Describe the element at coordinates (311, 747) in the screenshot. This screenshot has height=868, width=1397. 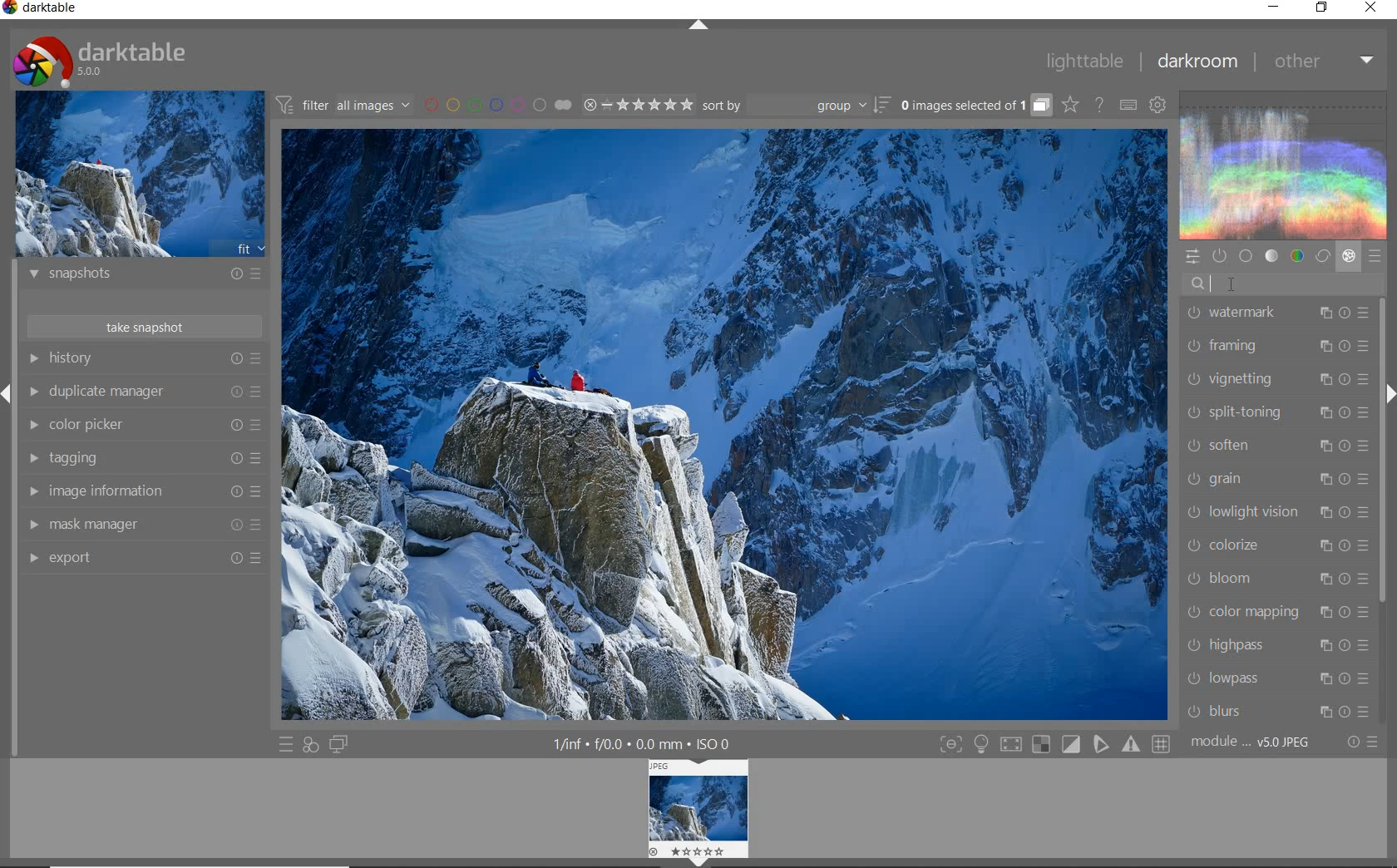
I see `quick access for applying any of your styles` at that location.